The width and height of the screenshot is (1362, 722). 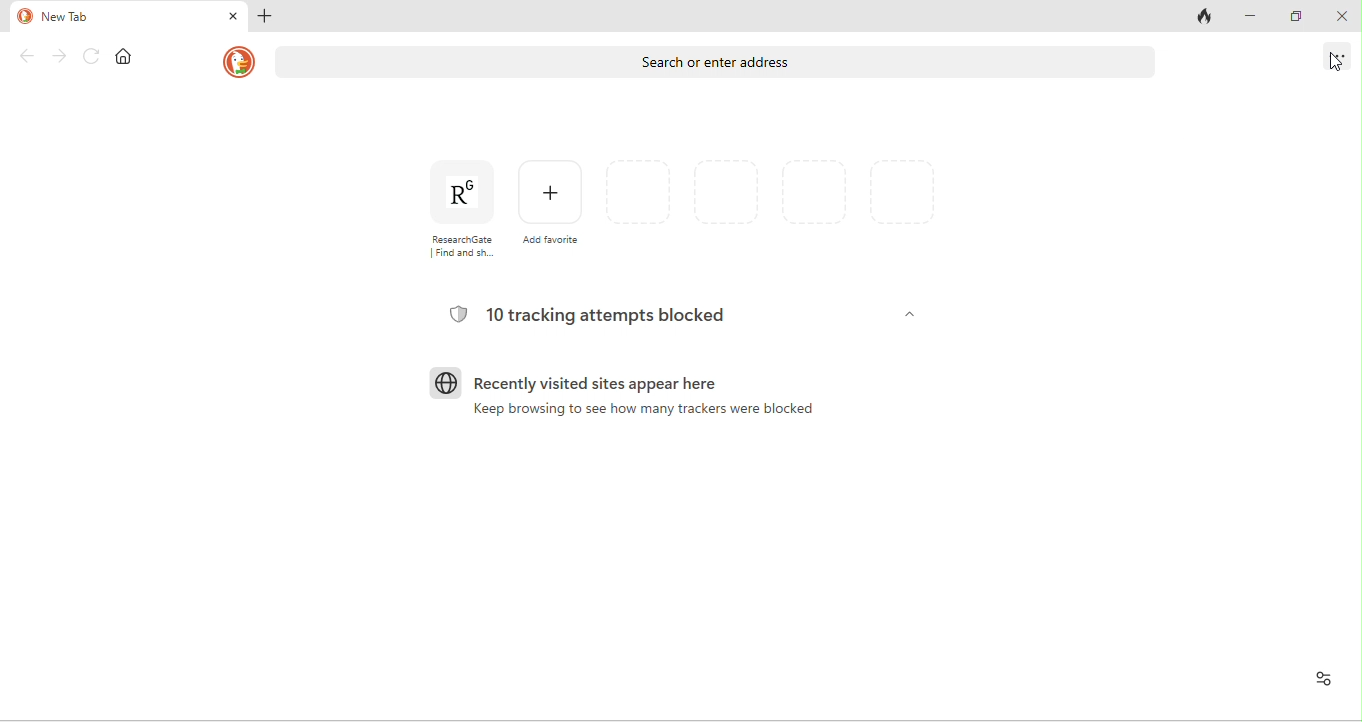 What do you see at coordinates (649, 413) in the screenshot?
I see `keep browsing to see how many trackers were blocked` at bounding box center [649, 413].